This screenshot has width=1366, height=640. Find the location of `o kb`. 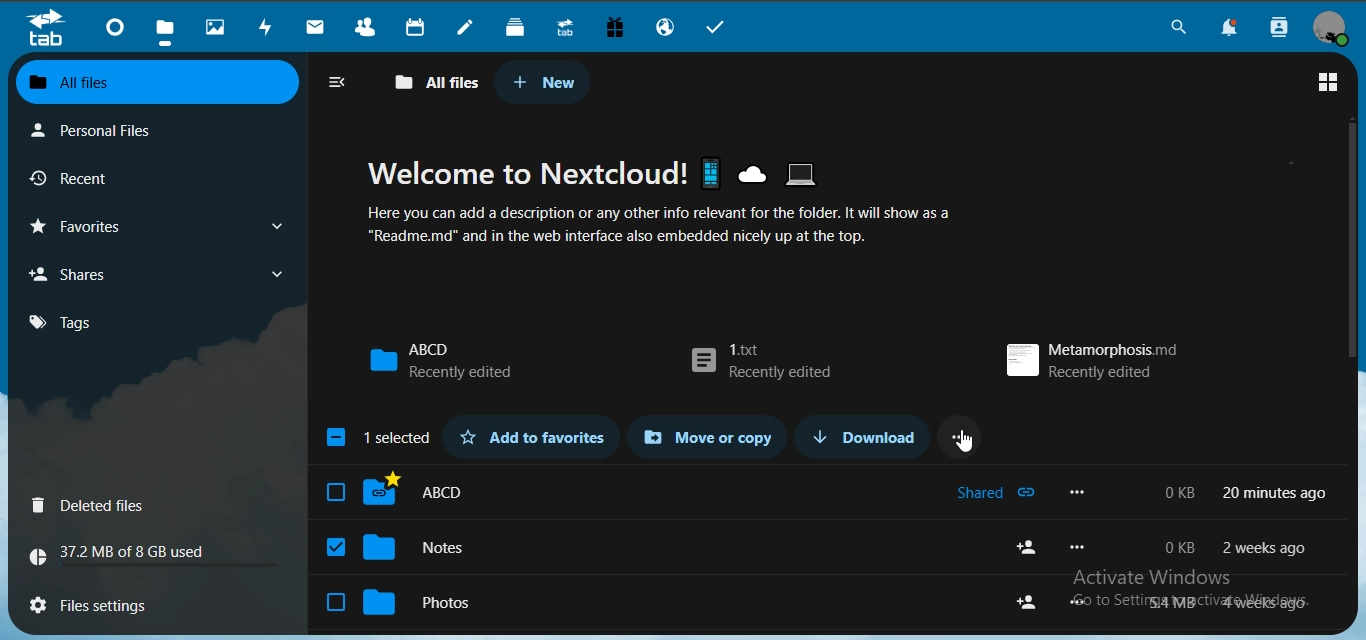

o kb is located at coordinates (1174, 547).